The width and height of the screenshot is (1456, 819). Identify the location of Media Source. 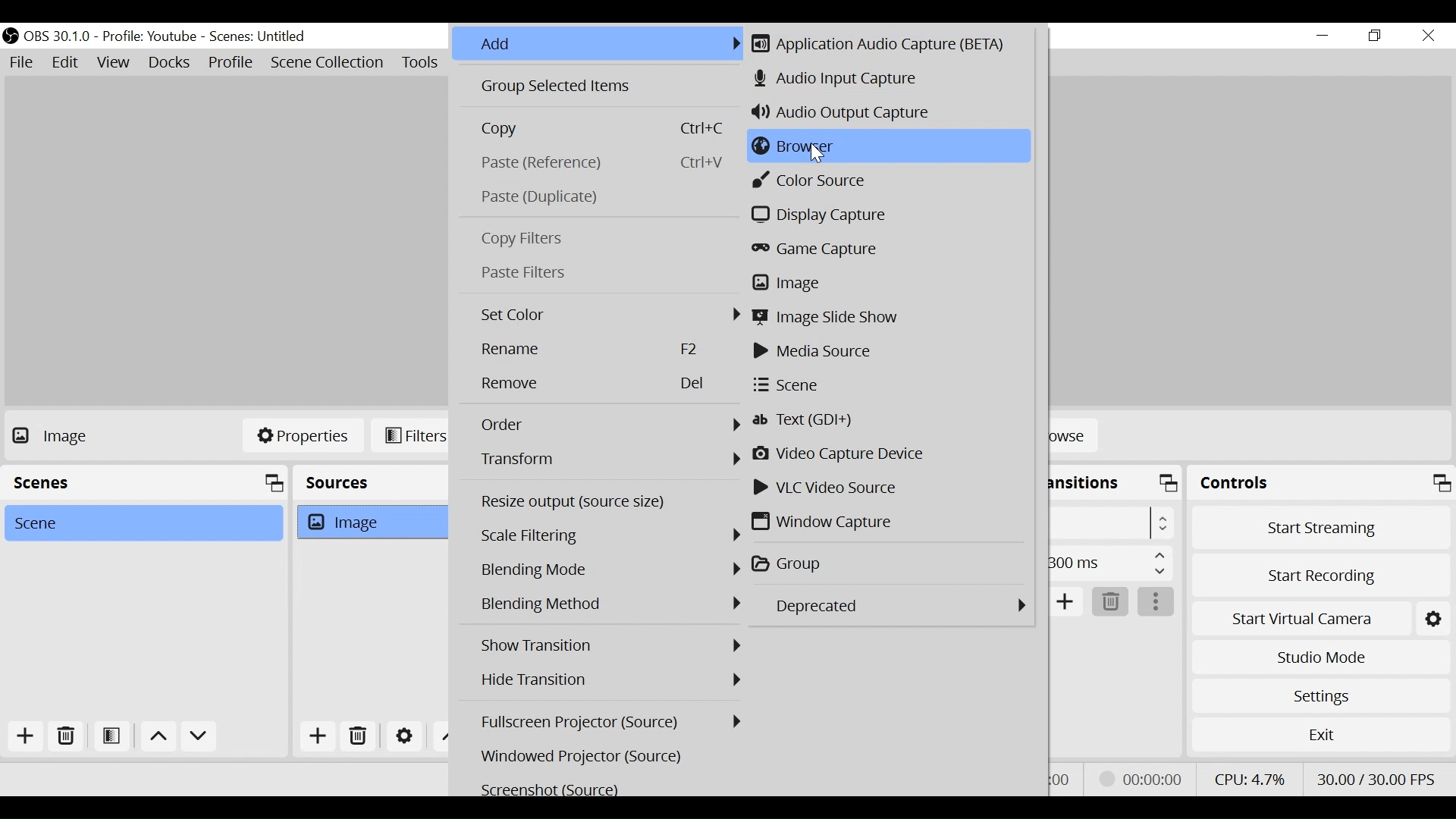
(886, 351).